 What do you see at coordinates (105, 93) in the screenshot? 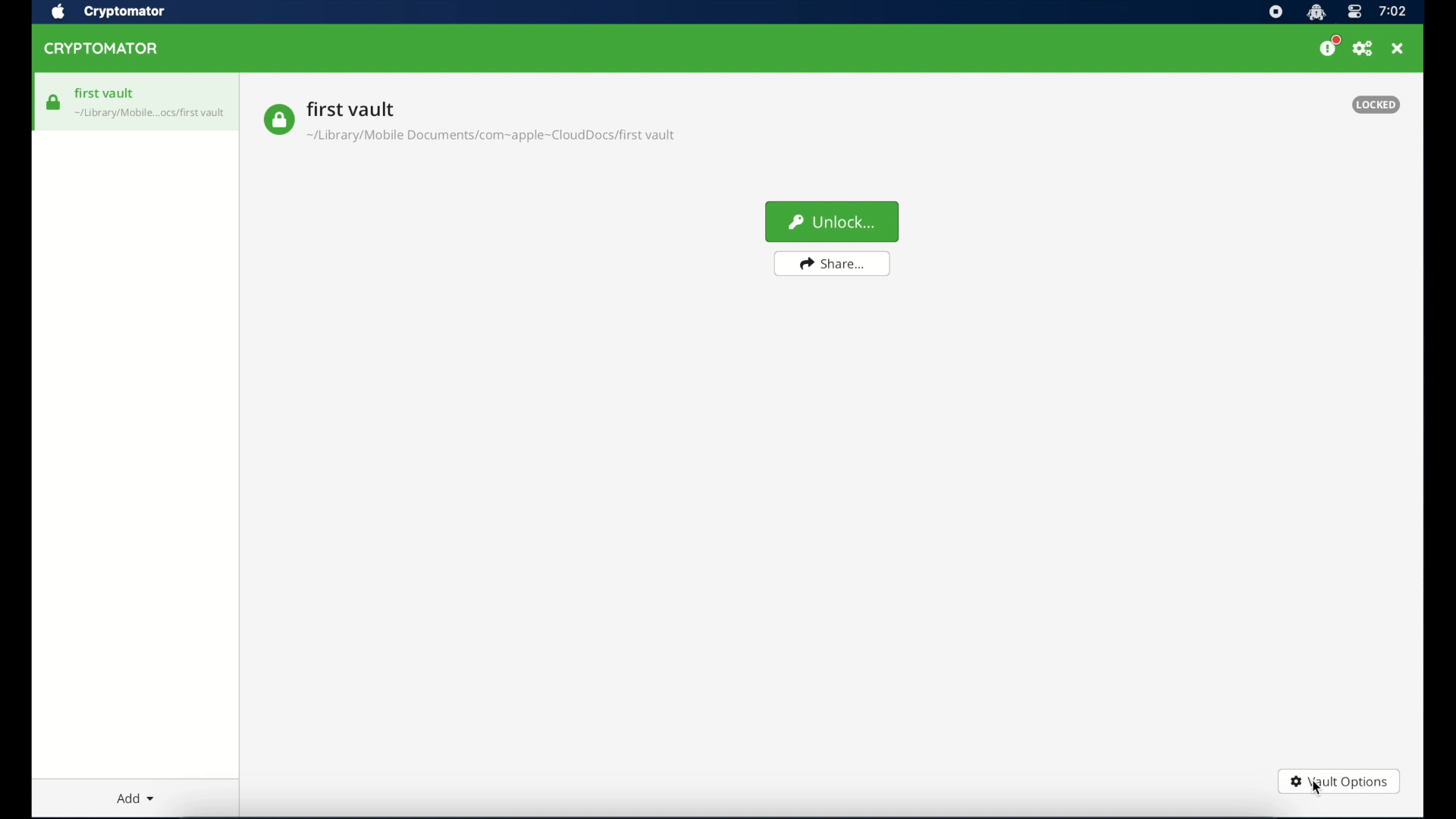
I see `first vault` at bounding box center [105, 93].